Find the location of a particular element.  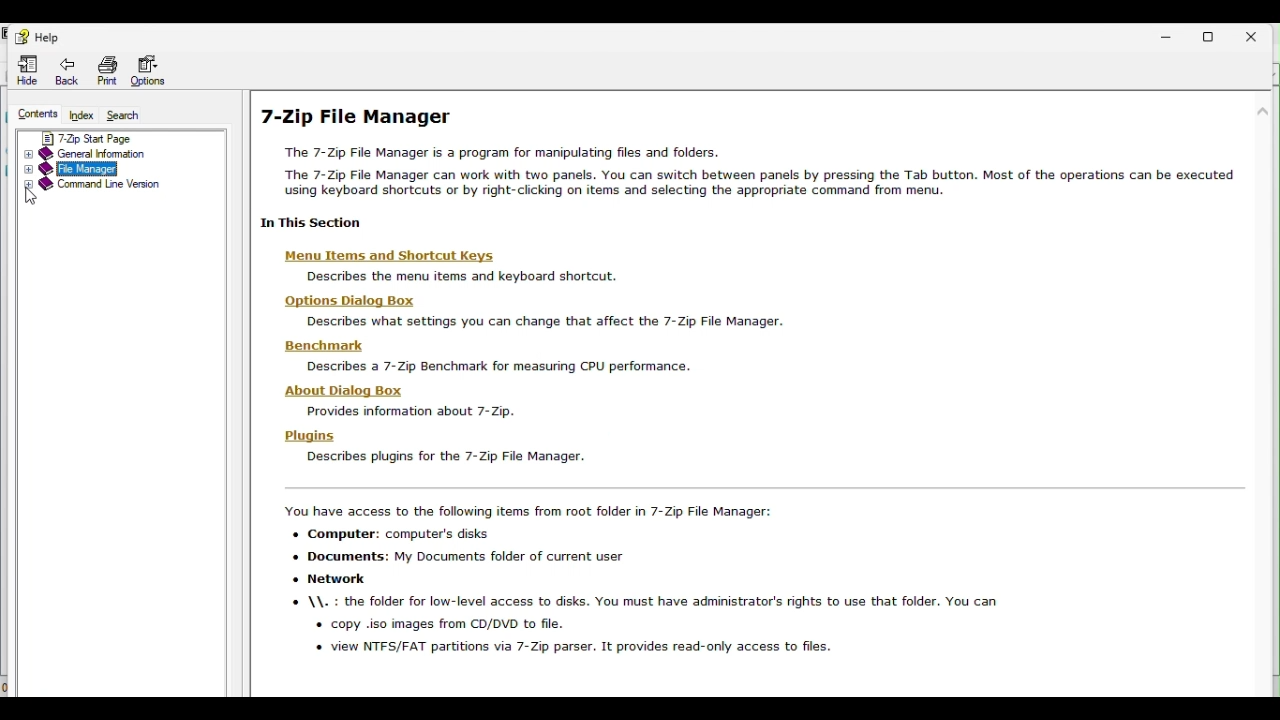

about this is located at coordinates (344, 393).